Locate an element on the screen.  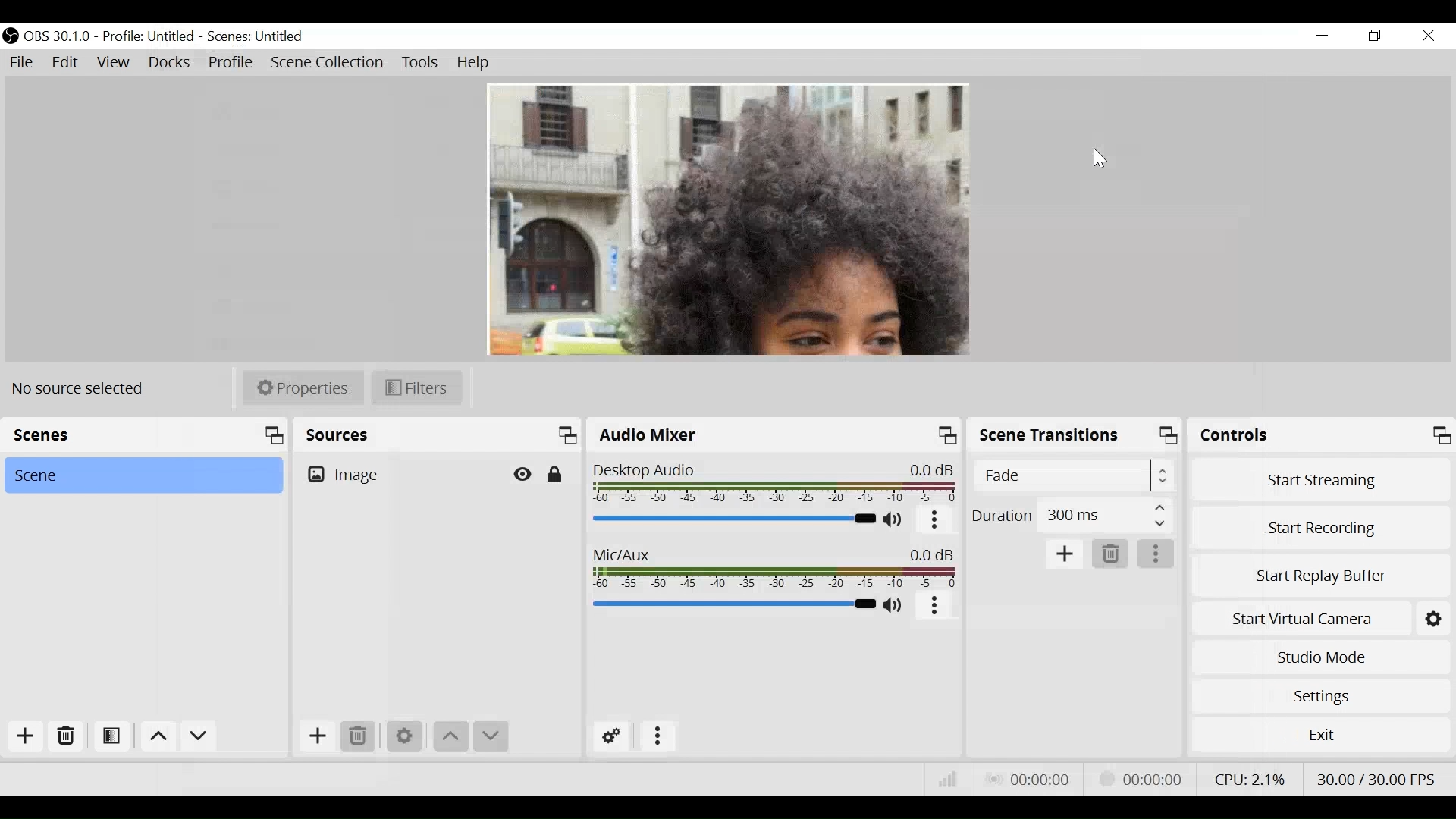
more options is located at coordinates (935, 522).